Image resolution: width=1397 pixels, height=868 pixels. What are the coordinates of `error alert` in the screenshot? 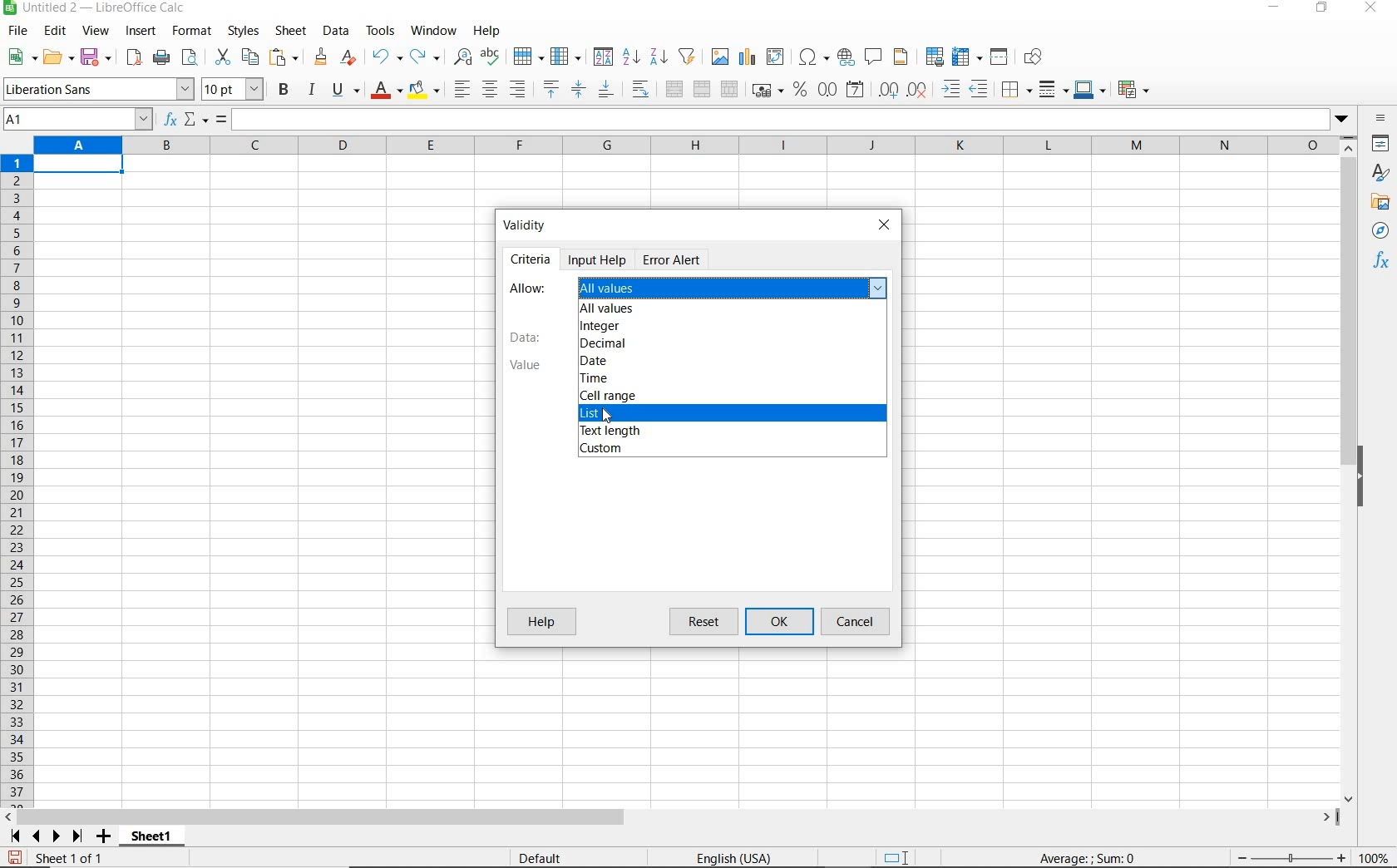 It's located at (671, 259).